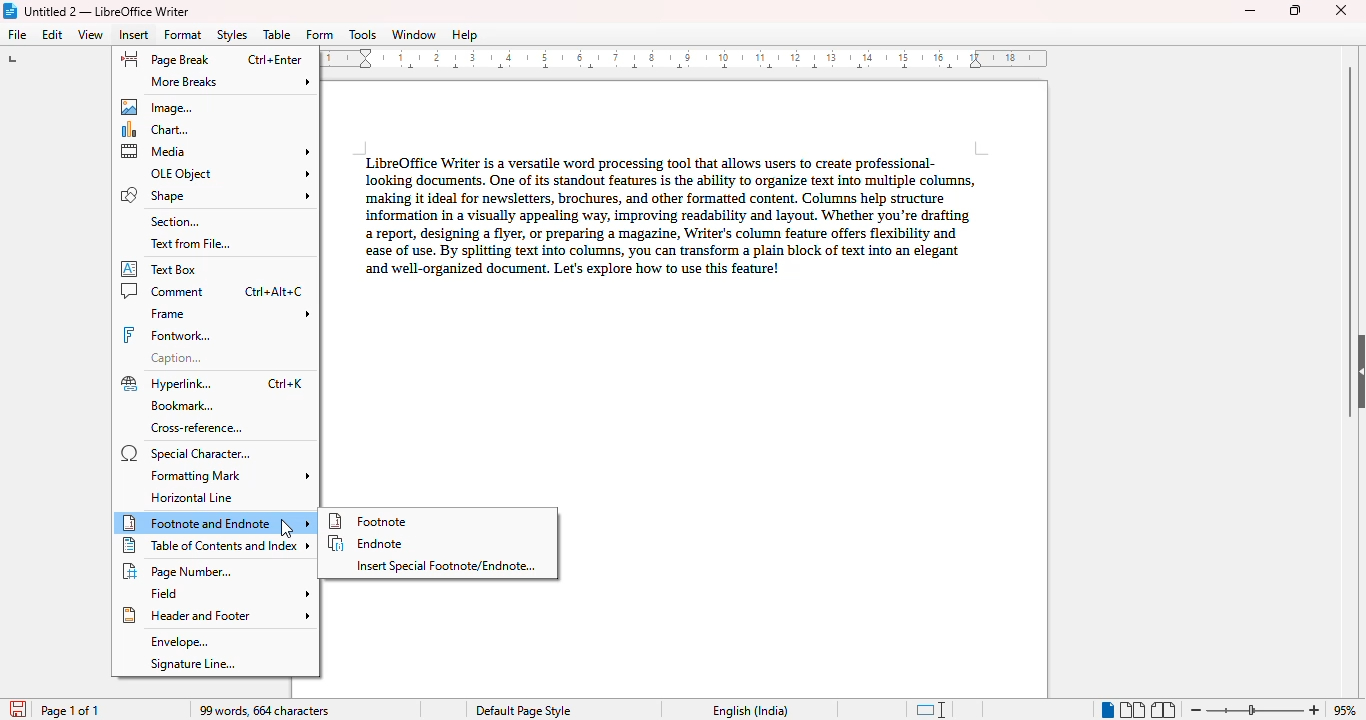  I want to click on styles, so click(233, 35).